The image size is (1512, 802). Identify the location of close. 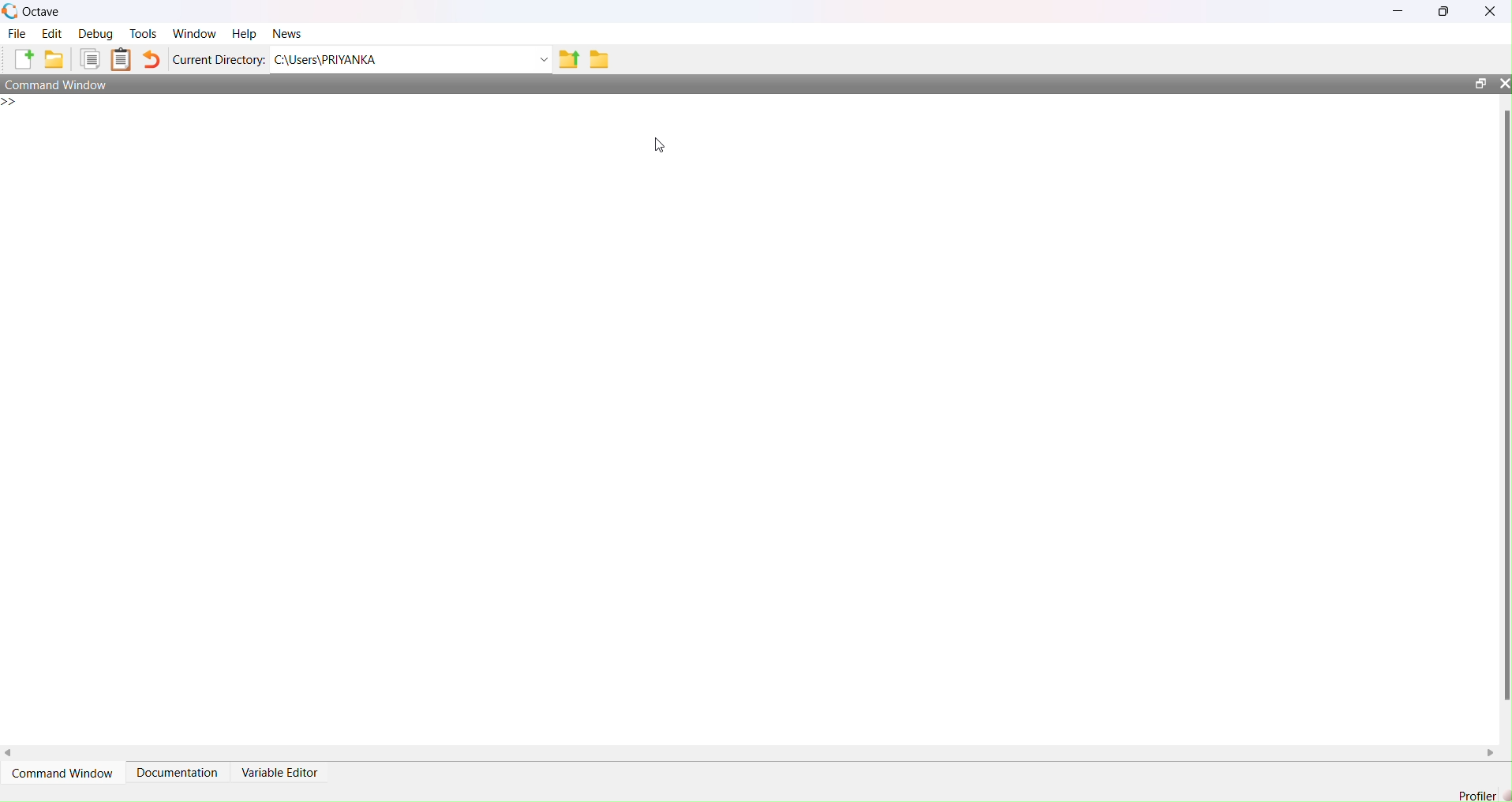
(1493, 11).